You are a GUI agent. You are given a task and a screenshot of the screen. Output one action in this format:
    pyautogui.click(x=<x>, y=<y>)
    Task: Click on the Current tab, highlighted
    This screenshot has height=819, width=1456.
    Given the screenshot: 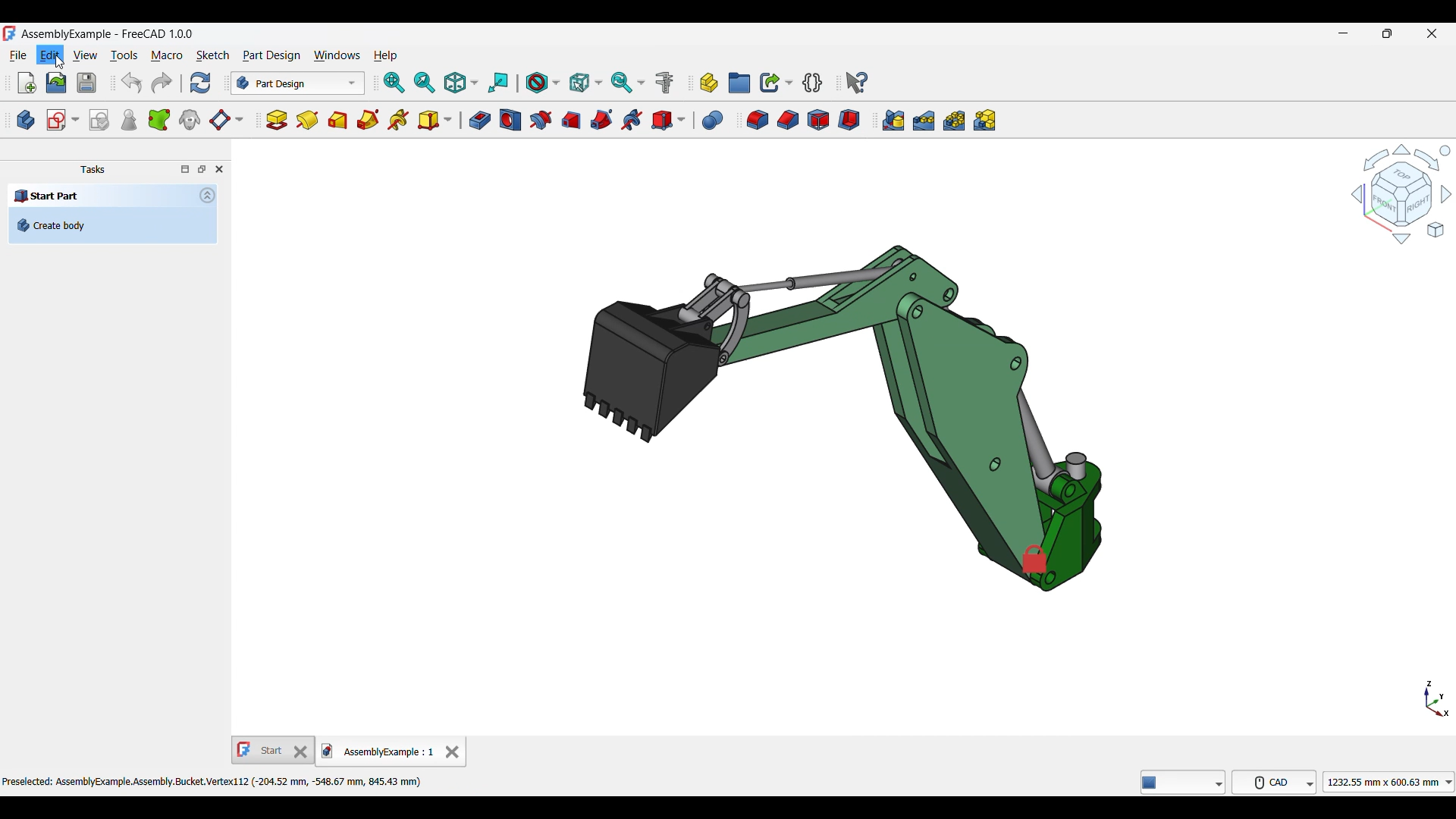 What is the action you would take?
    pyautogui.click(x=379, y=752)
    